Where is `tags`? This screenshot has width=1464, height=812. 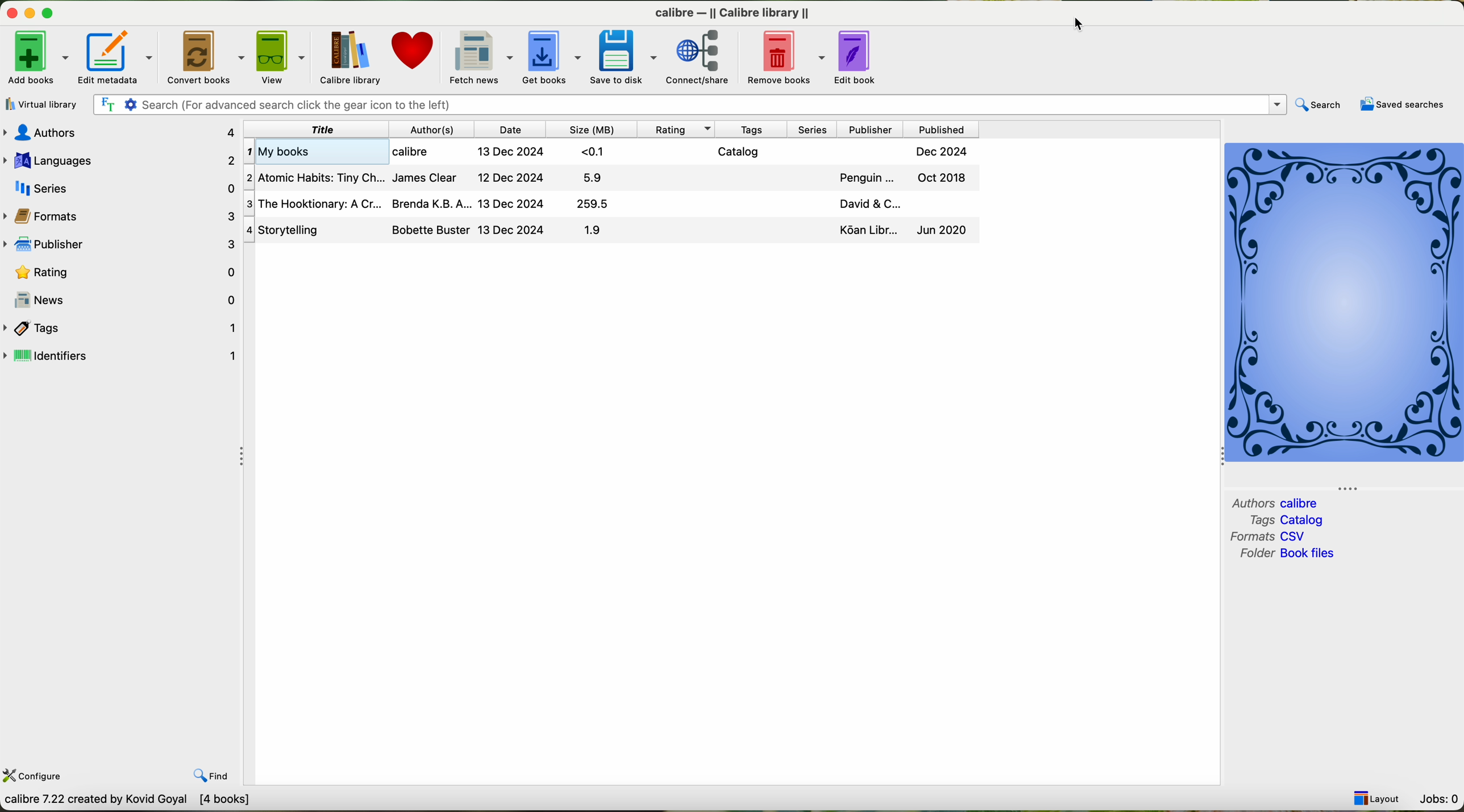 tags is located at coordinates (752, 130).